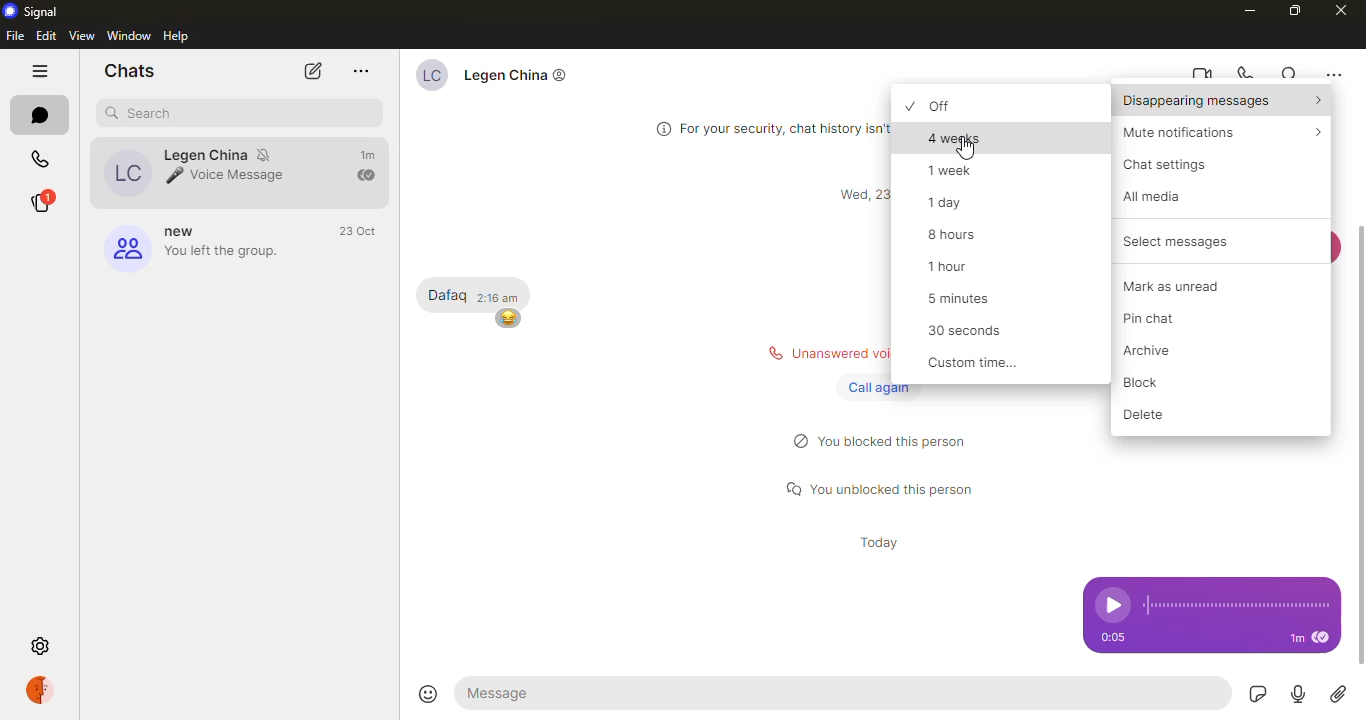  What do you see at coordinates (974, 364) in the screenshot?
I see `custom time` at bounding box center [974, 364].